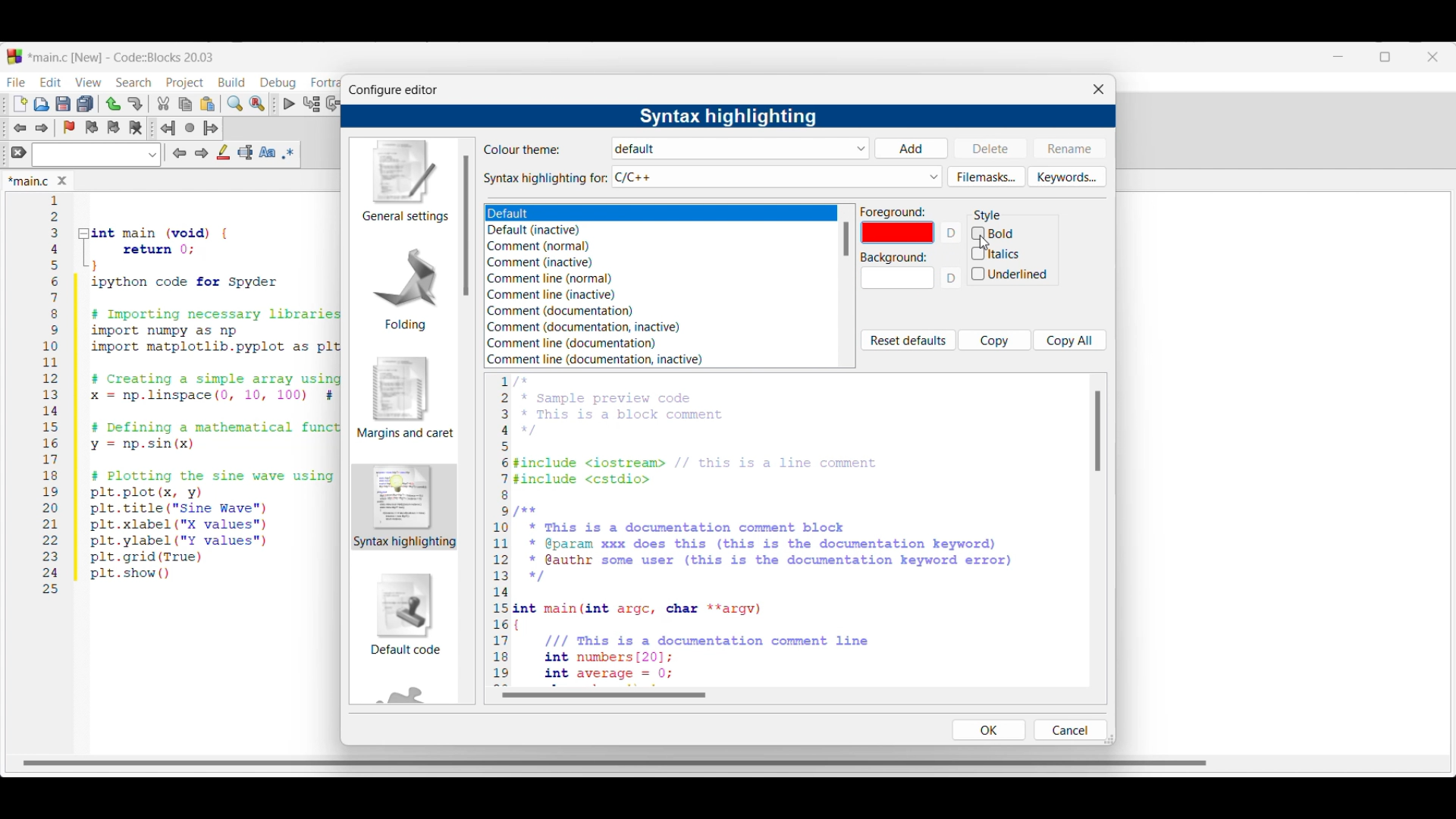 This screenshot has height=819, width=1456. What do you see at coordinates (543, 231) in the screenshot?
I see `Default inactive` at bounding box center [543, 231].